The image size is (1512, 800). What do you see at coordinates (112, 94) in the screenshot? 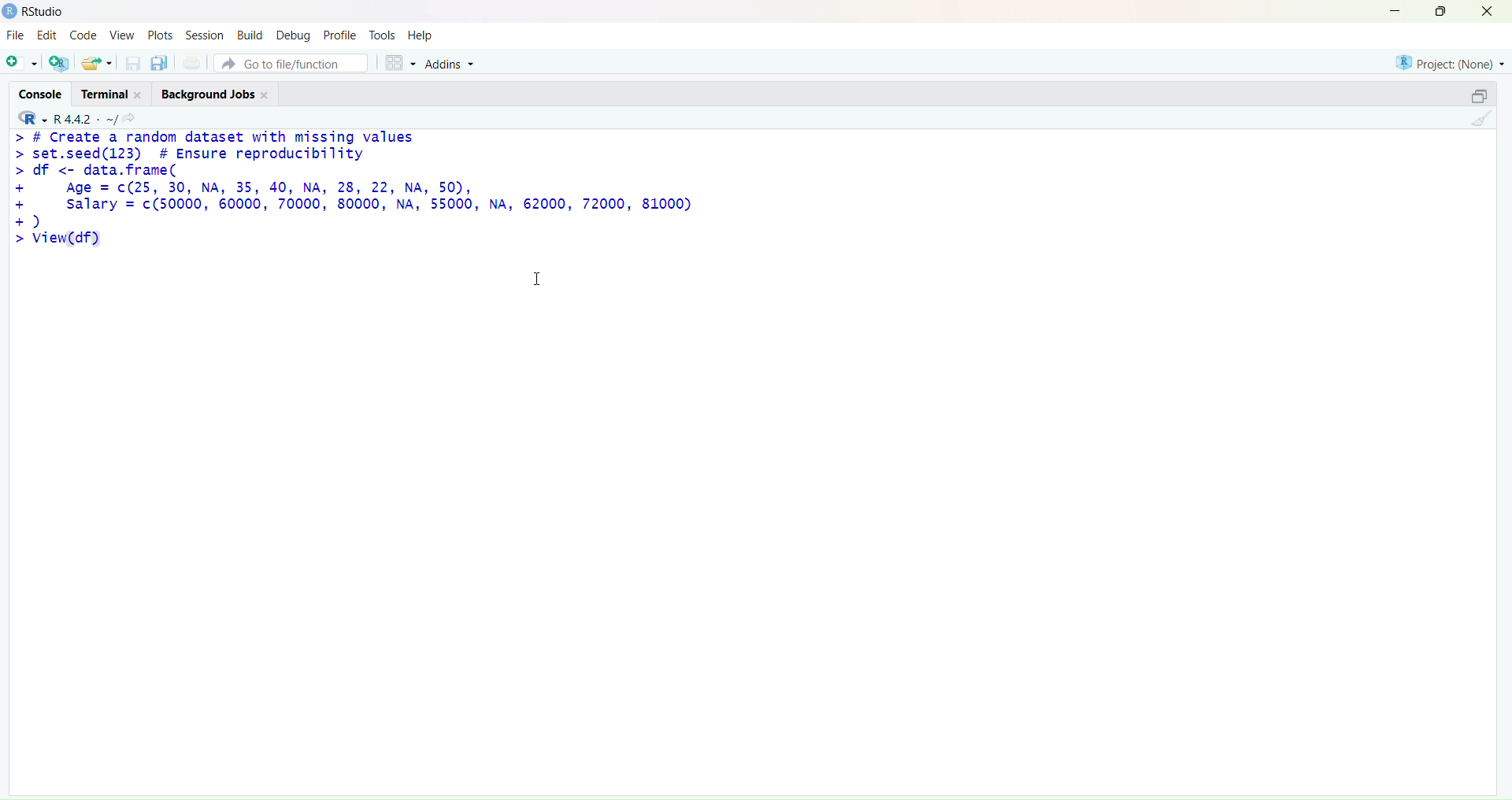
I see `terminal` at bounding box center [112, 94].